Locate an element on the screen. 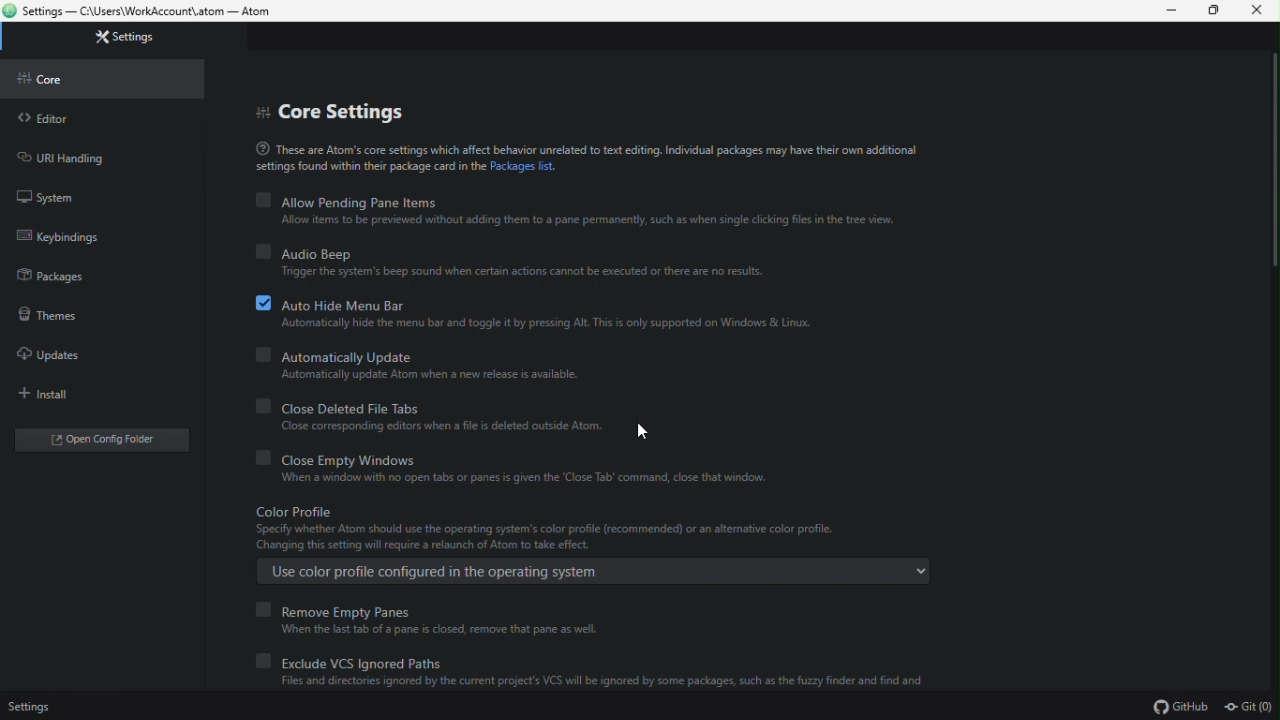 The height and width of the screenshot is (720, 1280). Settings is located at coordinates (38, 707).